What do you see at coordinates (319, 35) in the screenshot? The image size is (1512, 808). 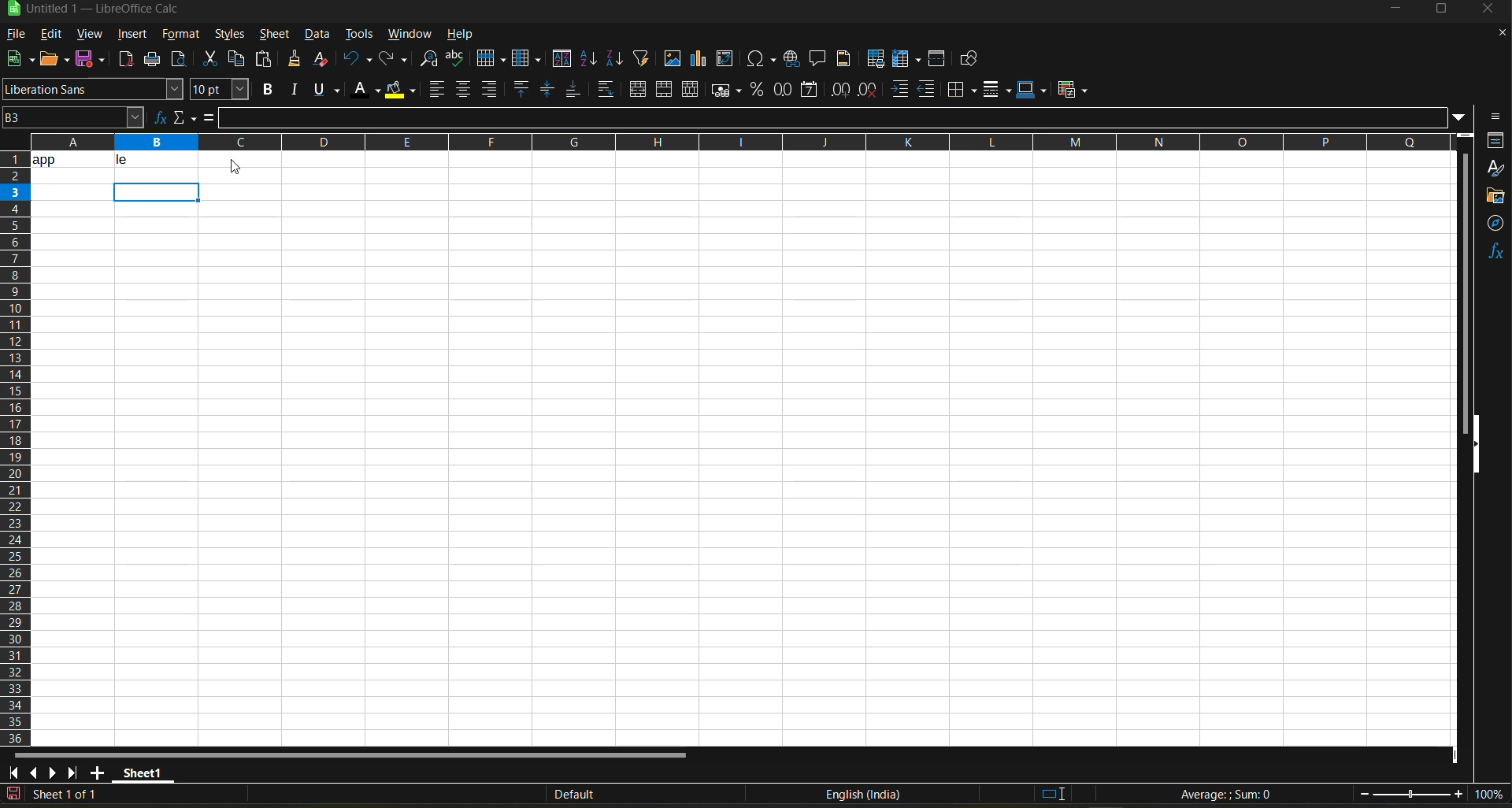 I see `data` at bounding box center [319, 35].